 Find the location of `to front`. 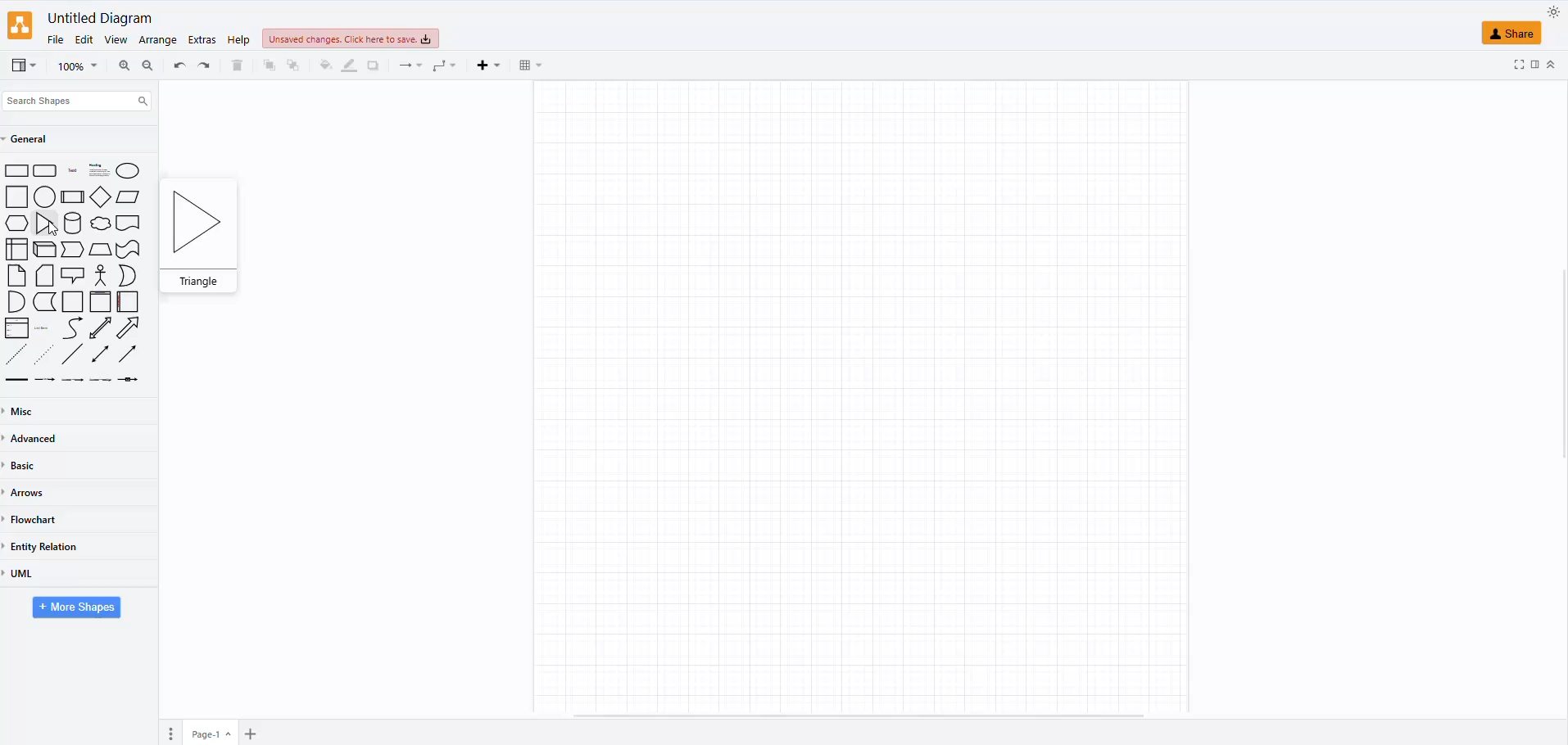

to front is located at coordinates (294, 63).